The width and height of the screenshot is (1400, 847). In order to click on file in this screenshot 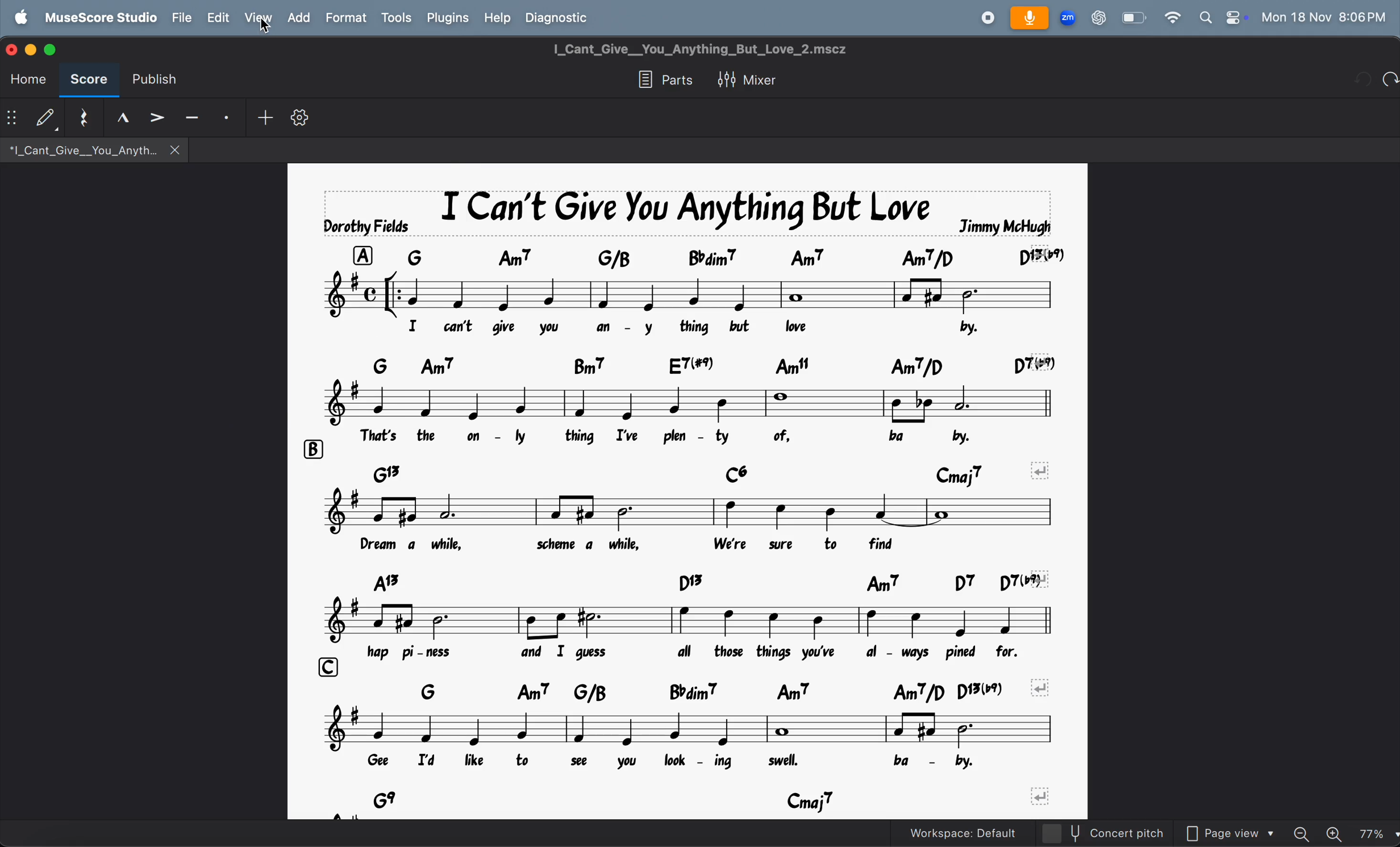, I will do `click(182, 18)`.